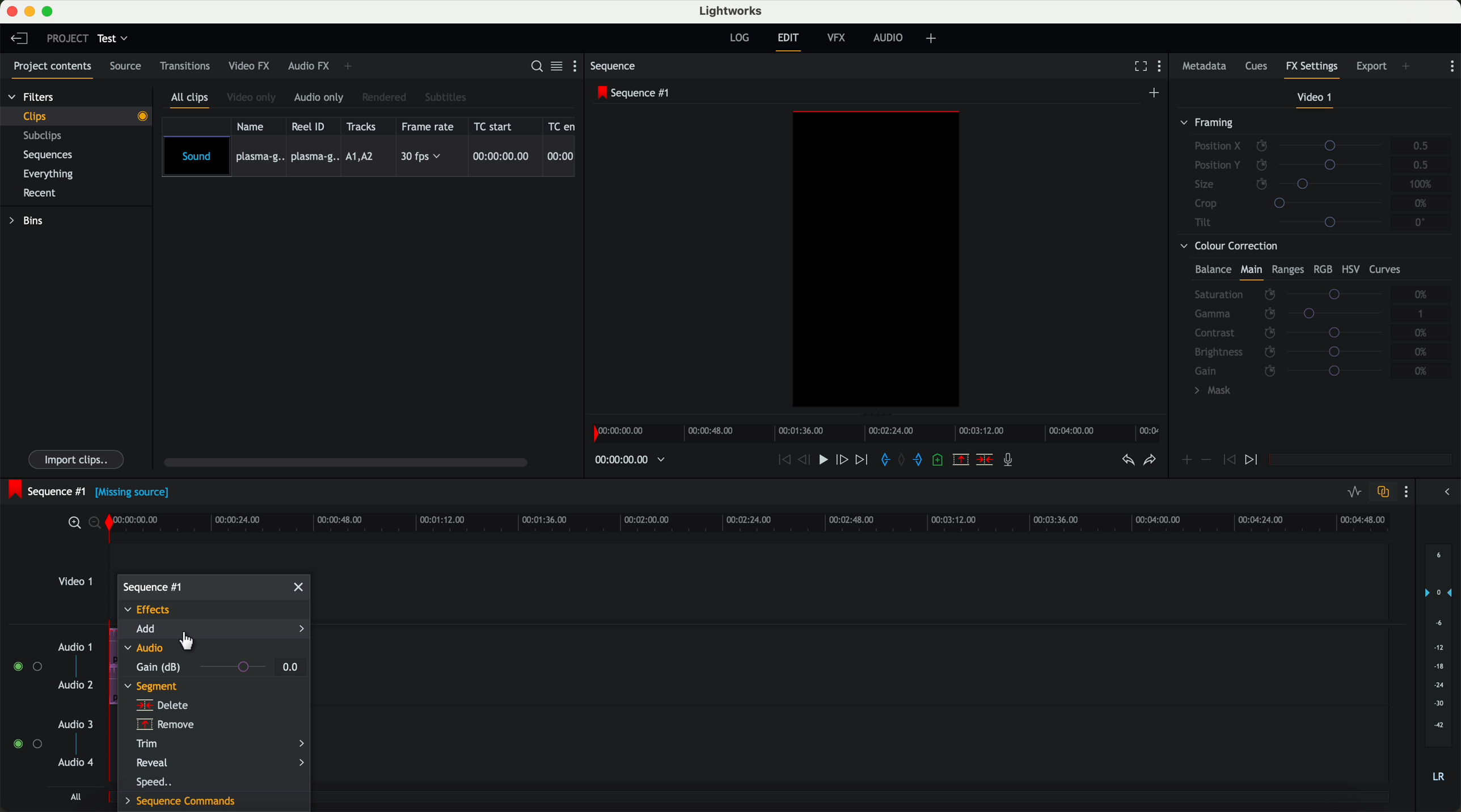 Image resolution: width=1461 pixels, height=812 pixels. What do you see at coordinates (1204, 67) in the screenshot?
I see `metadata` at bounding box center [1204, 67].